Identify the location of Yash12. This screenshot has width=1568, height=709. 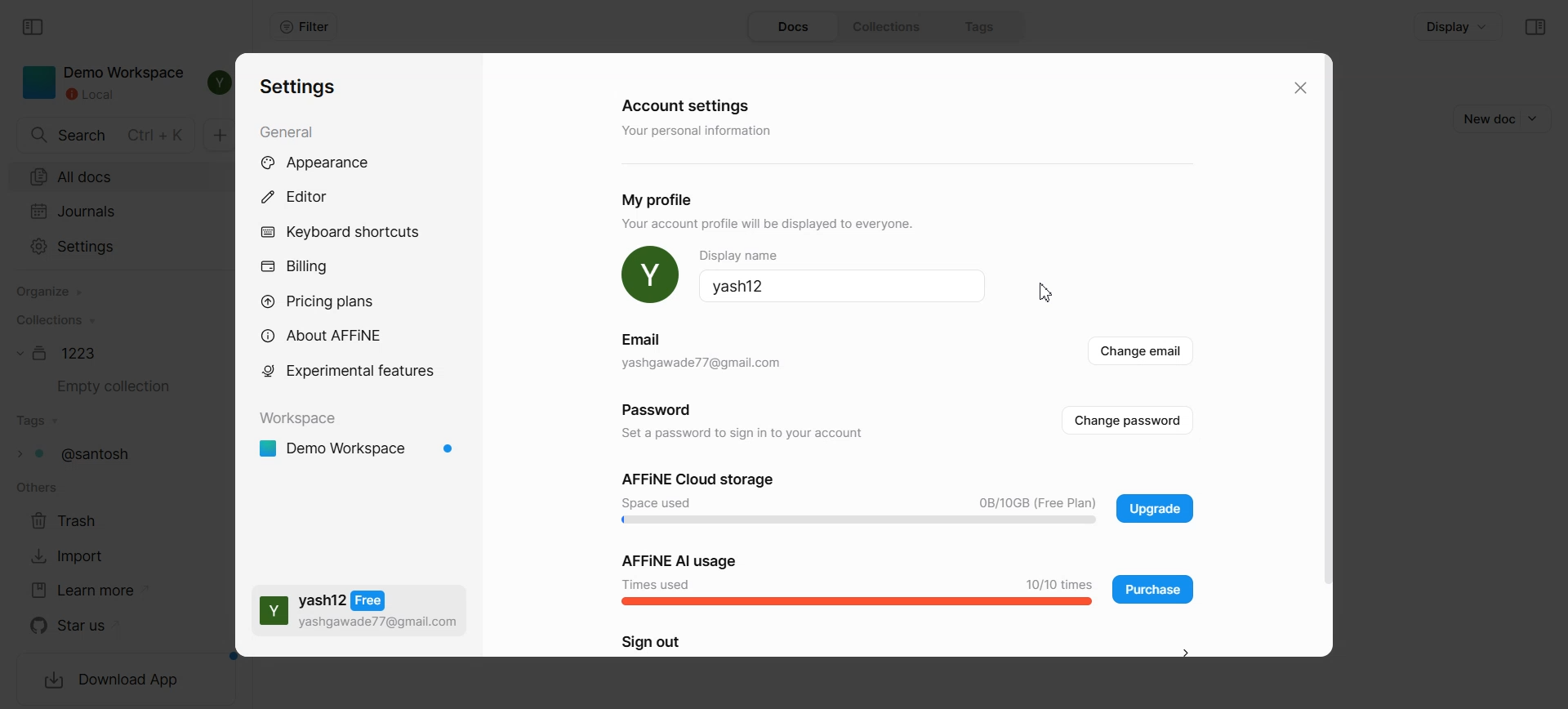
(842, 286).